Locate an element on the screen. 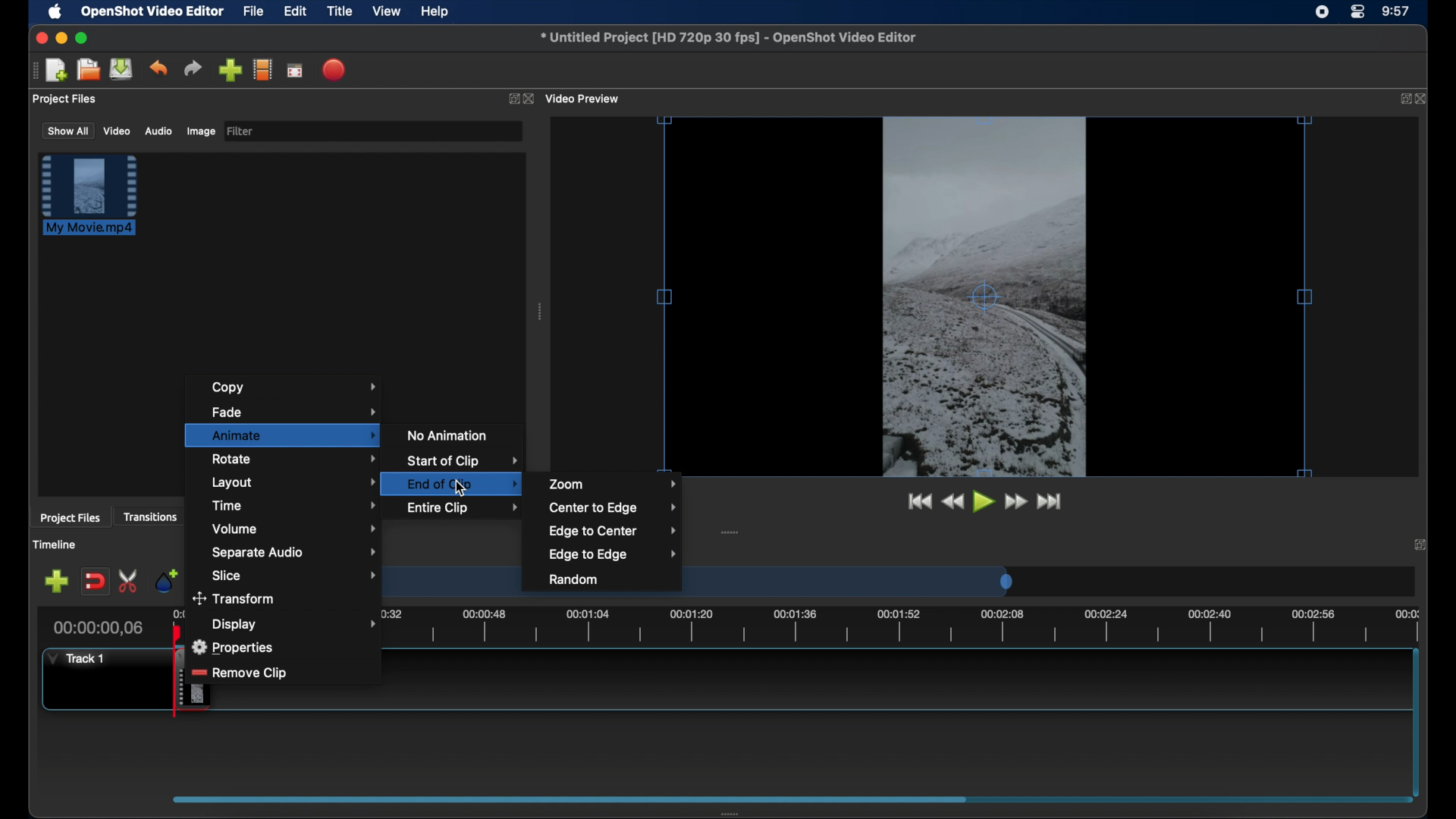  new project is located at coordinates (58, 71).